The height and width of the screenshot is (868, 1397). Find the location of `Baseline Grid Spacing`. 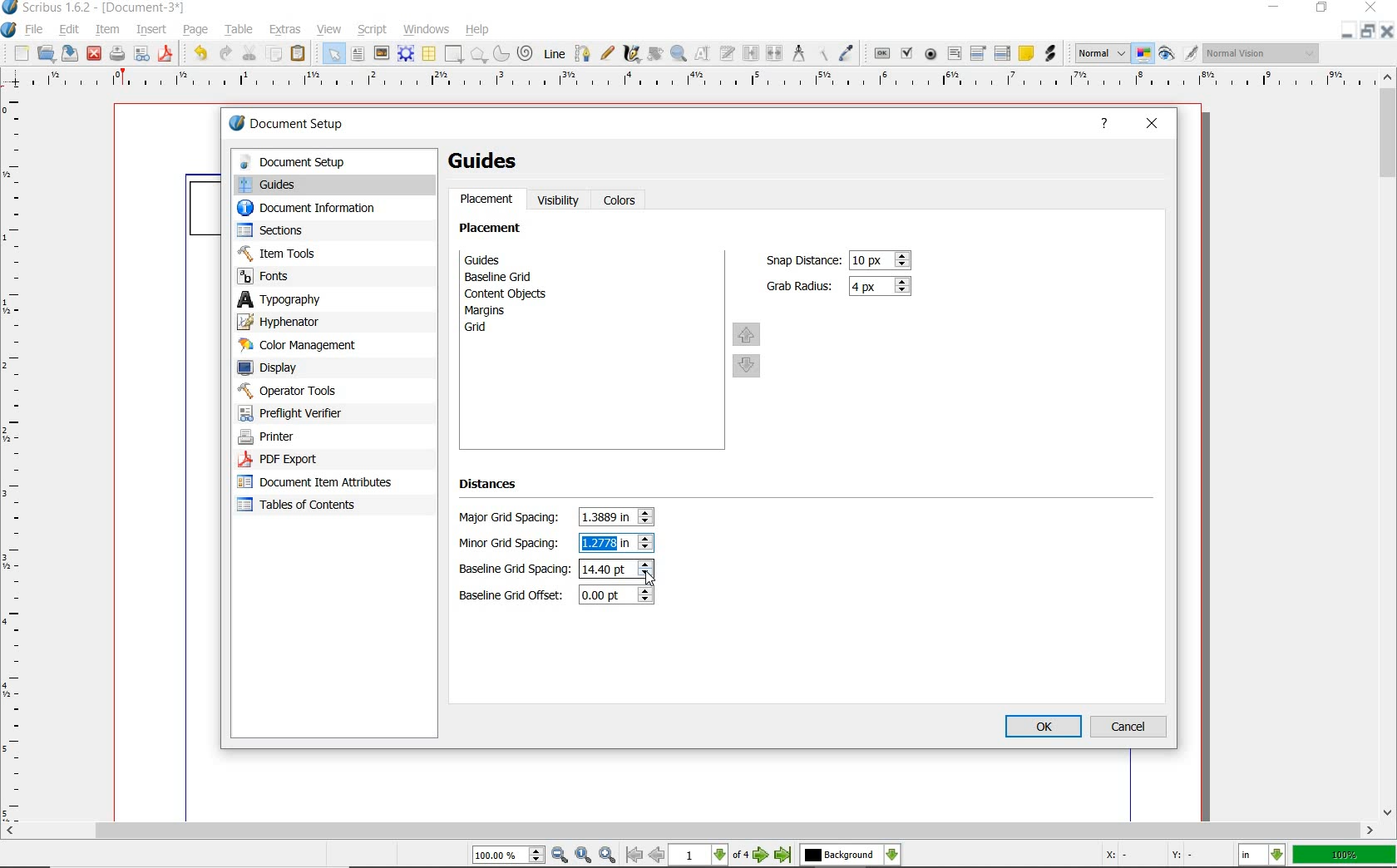

Baseline Grid Spacing is located at coordinates (616, 570).